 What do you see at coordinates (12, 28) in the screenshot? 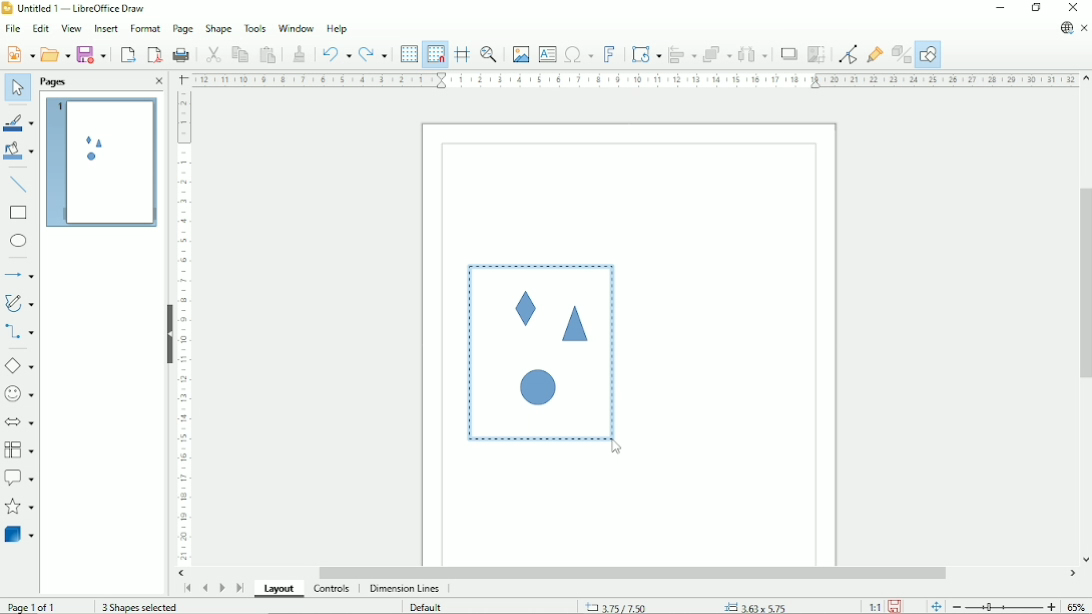
I see `File` at bounding box center [12, 28].